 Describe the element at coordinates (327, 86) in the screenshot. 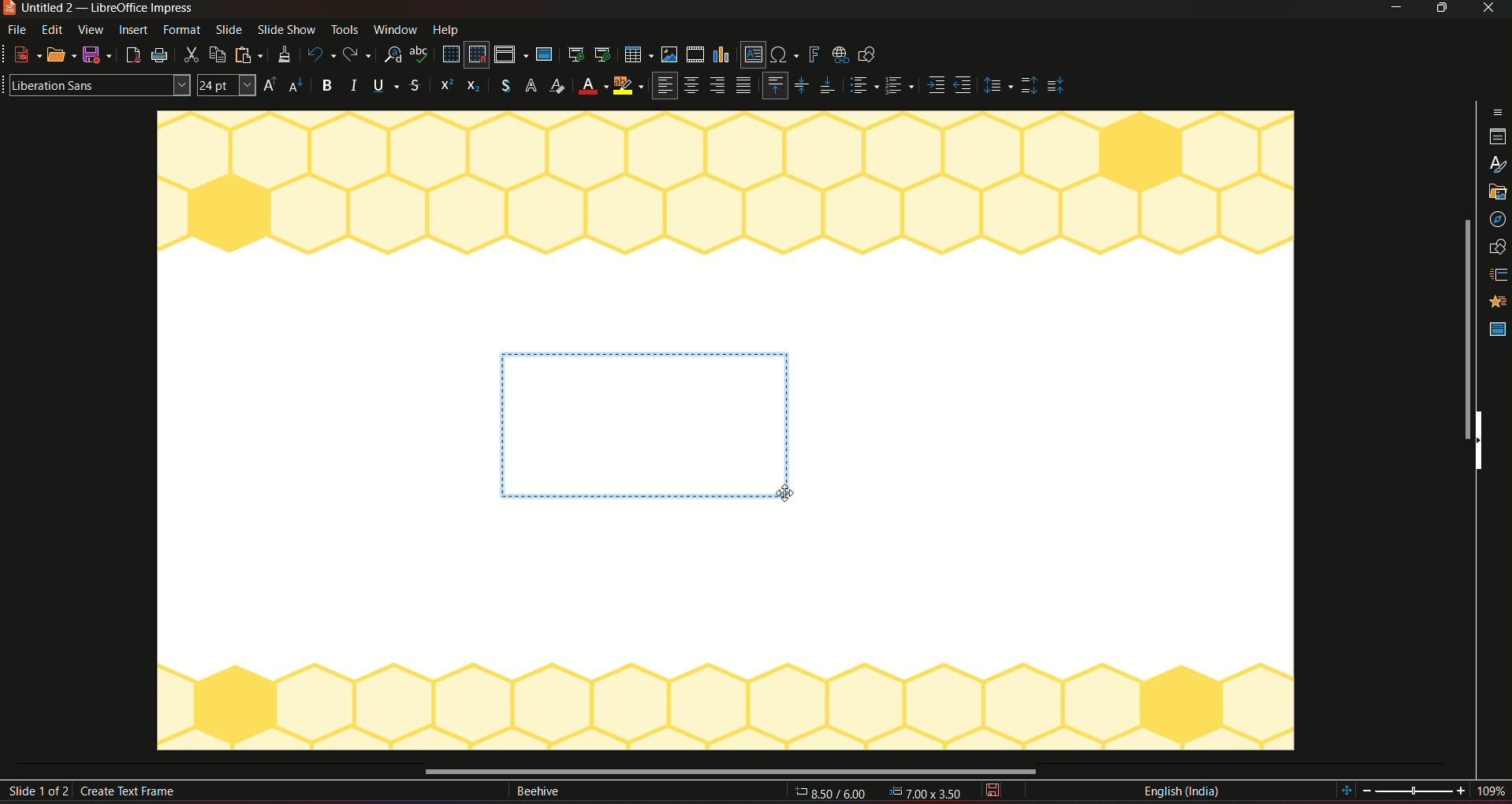

I see `Bold` at that location.